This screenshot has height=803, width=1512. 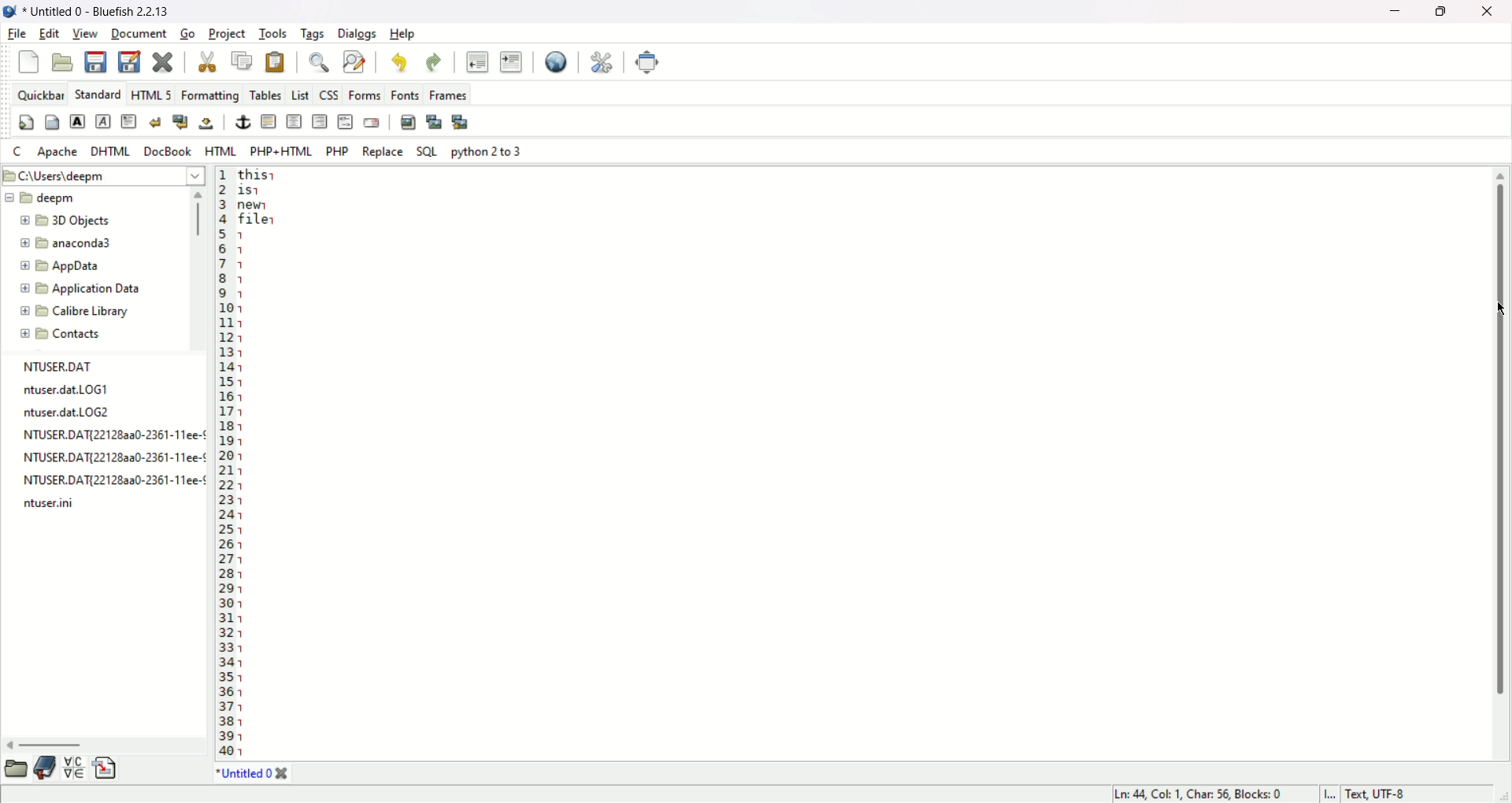 What do you see at coordinates (75, 221) in the screenshot?
I see `Folder name` at bounding box center [75, 221].